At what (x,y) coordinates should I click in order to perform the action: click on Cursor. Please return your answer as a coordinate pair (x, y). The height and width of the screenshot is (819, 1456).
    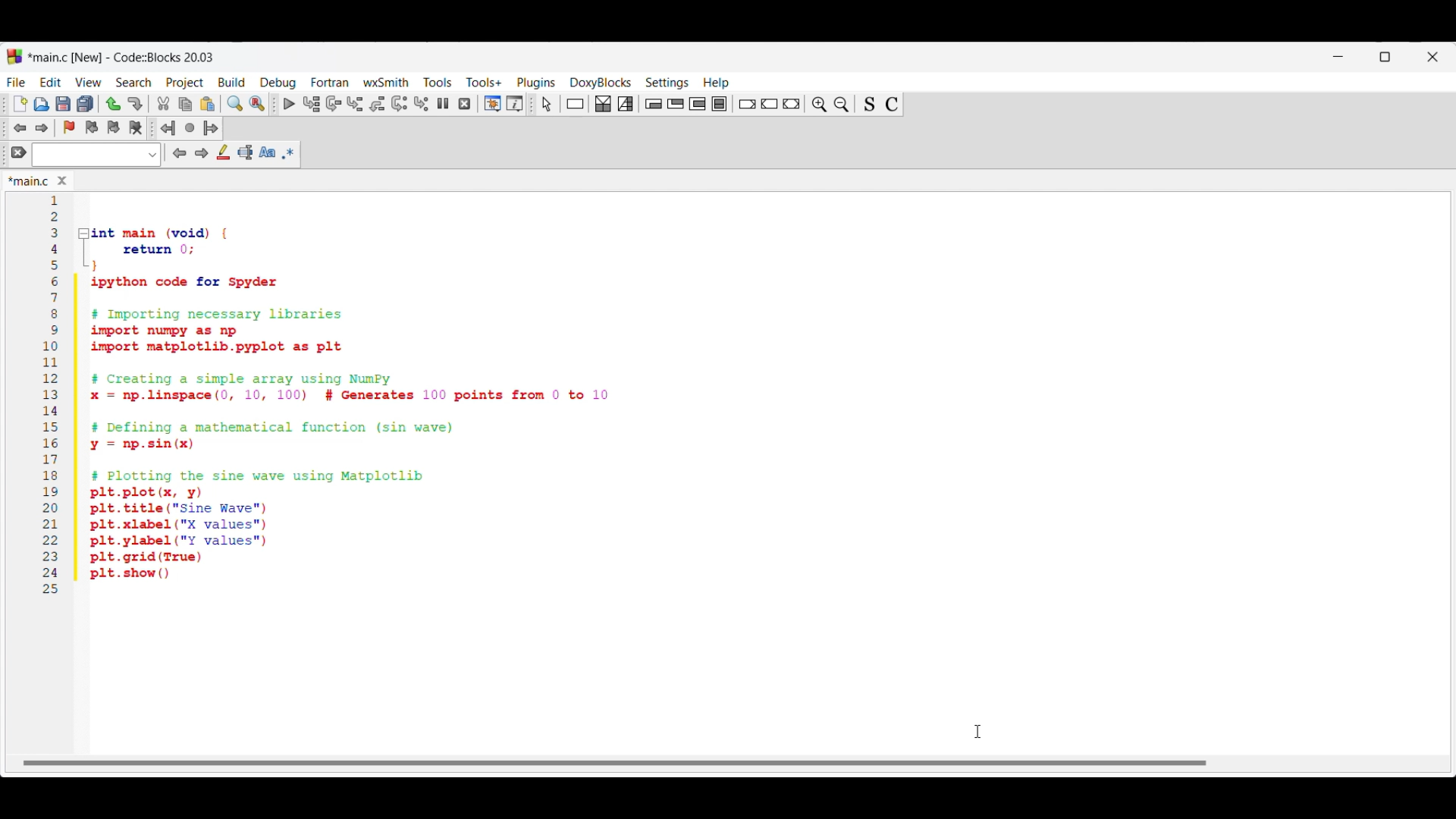
    Looking at the image, I should click on (977, 731).